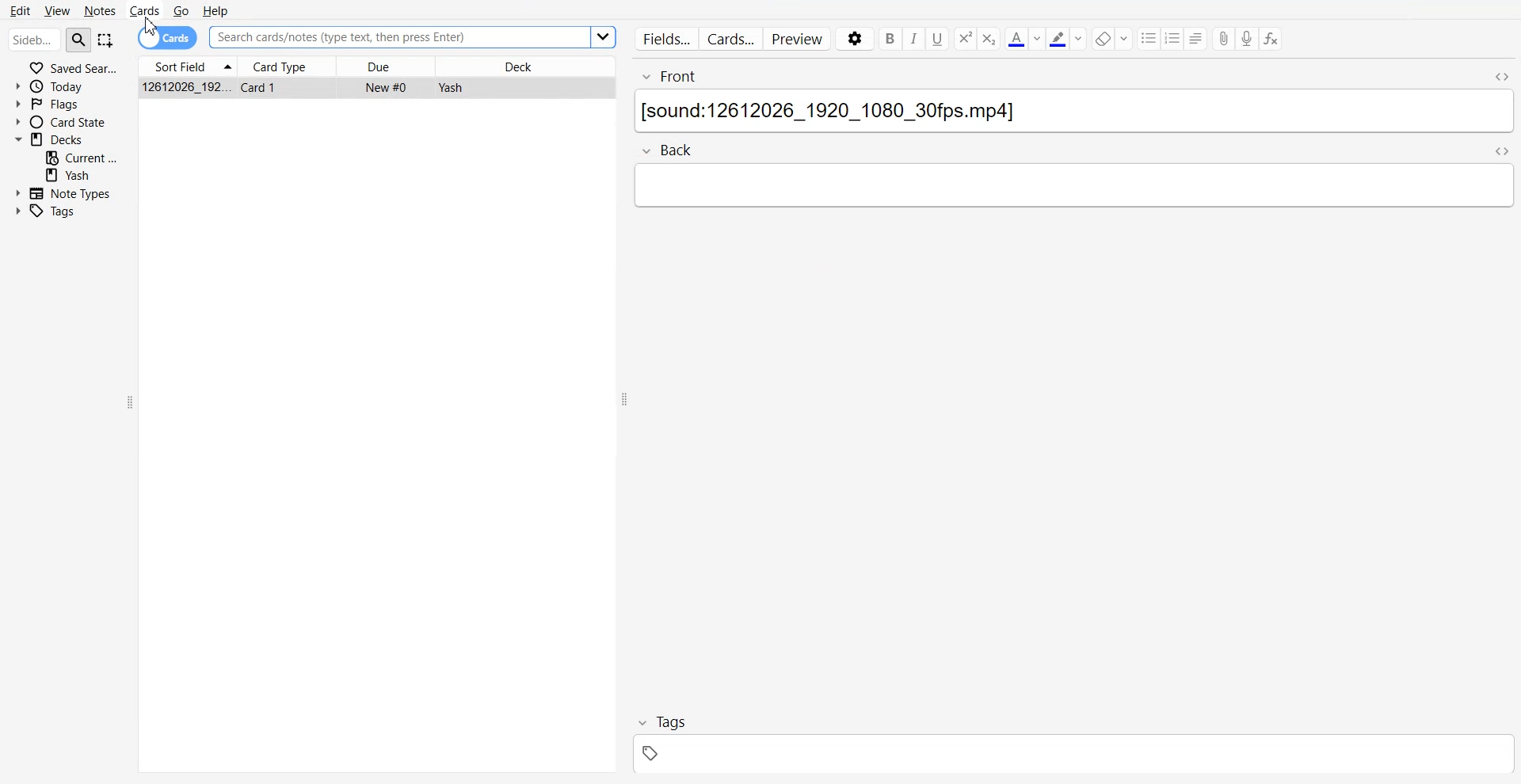 Image resolution: width=1521 pixels, height=784 pixels. I want to click on Underline, so click(938, 39).